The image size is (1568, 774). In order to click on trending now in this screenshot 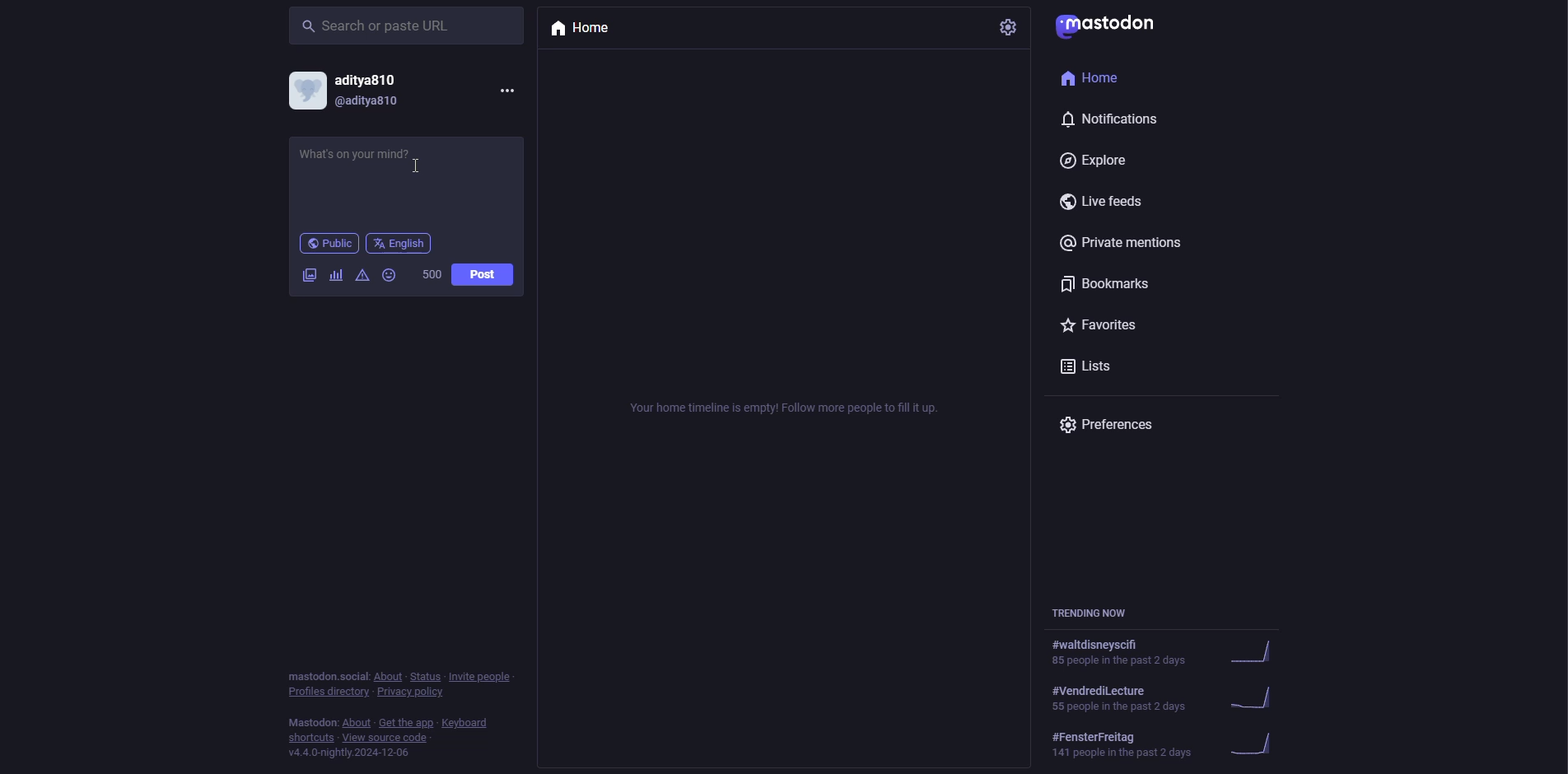, I will do `click(1174, 746)`.